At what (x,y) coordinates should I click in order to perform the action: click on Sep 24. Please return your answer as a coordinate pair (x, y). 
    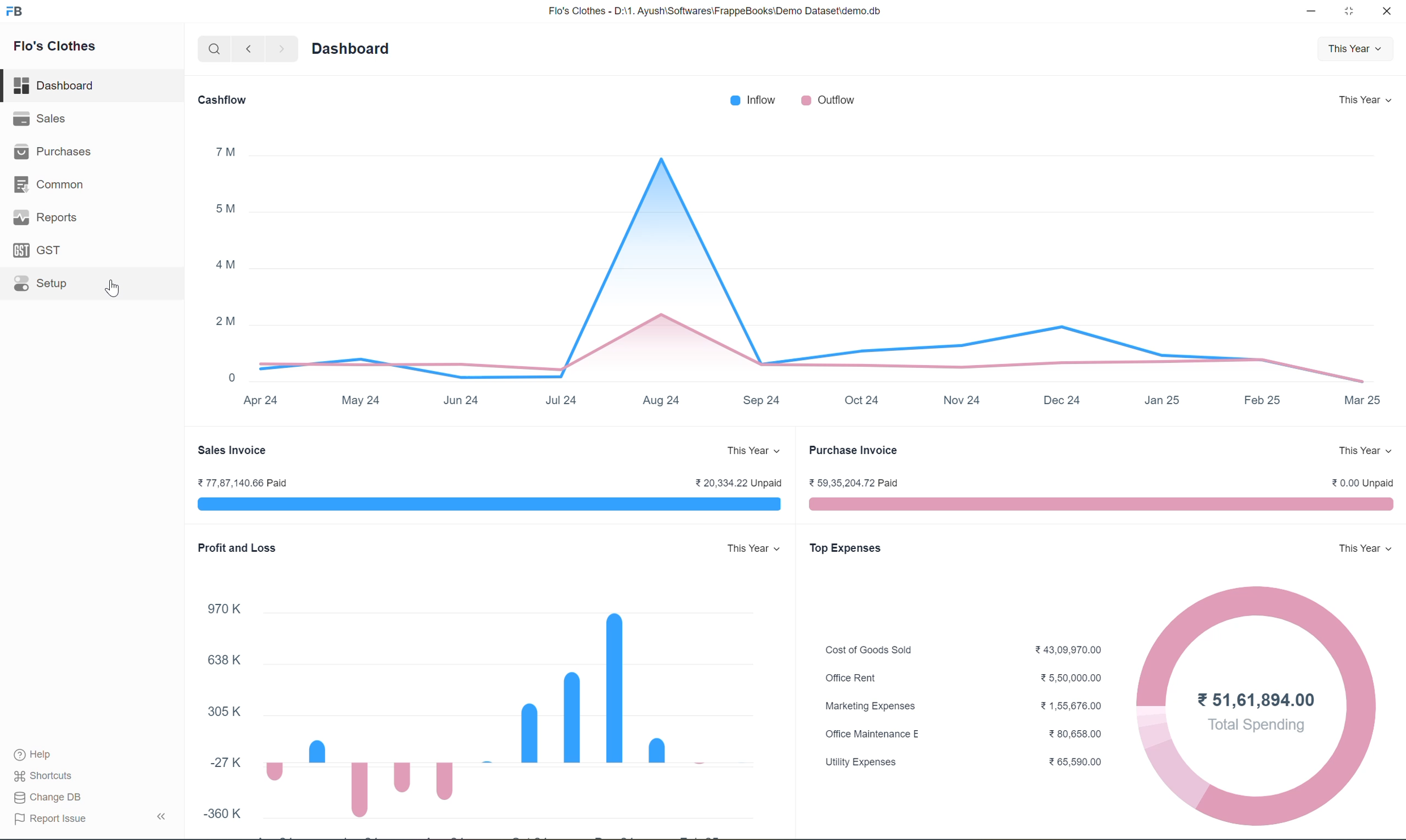
    Looking at the image, I should click on (760, 401).